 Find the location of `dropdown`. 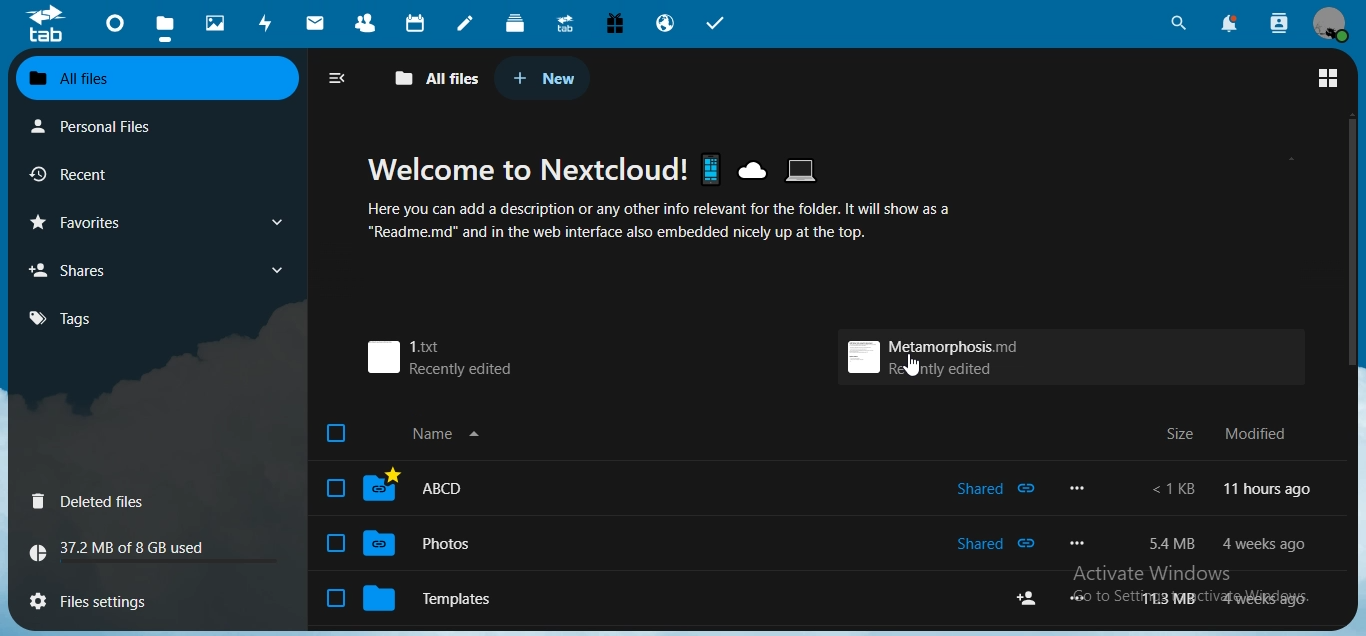

dropdown is located at coordinates (276, 269).